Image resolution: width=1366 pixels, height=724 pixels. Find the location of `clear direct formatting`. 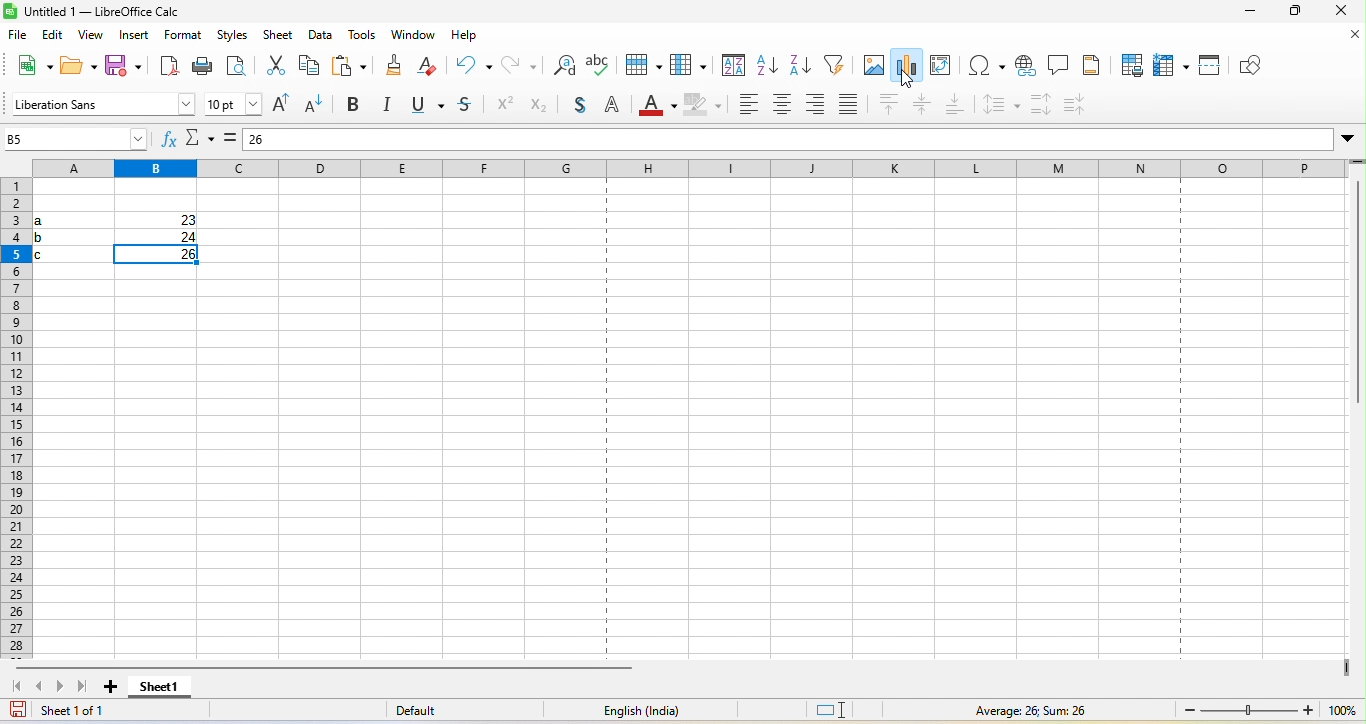

clear direct formatting is located at coordinates (432, 65).